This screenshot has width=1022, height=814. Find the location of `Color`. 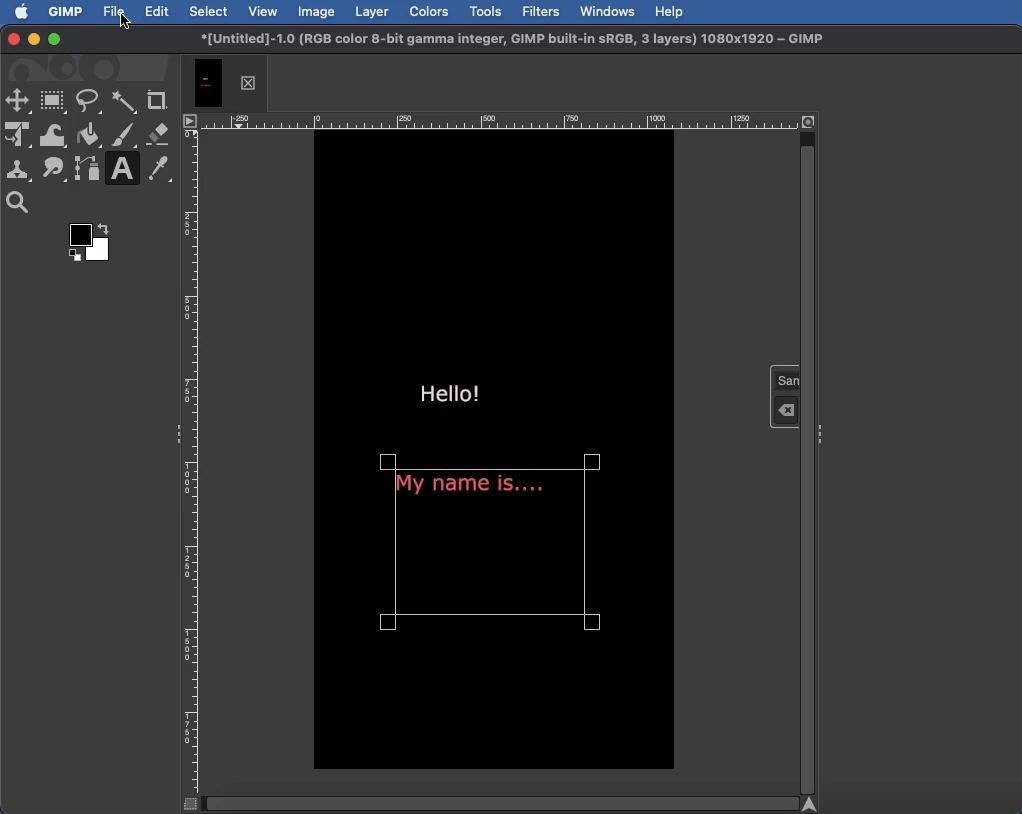

Color is located at coordinates (88, 242).